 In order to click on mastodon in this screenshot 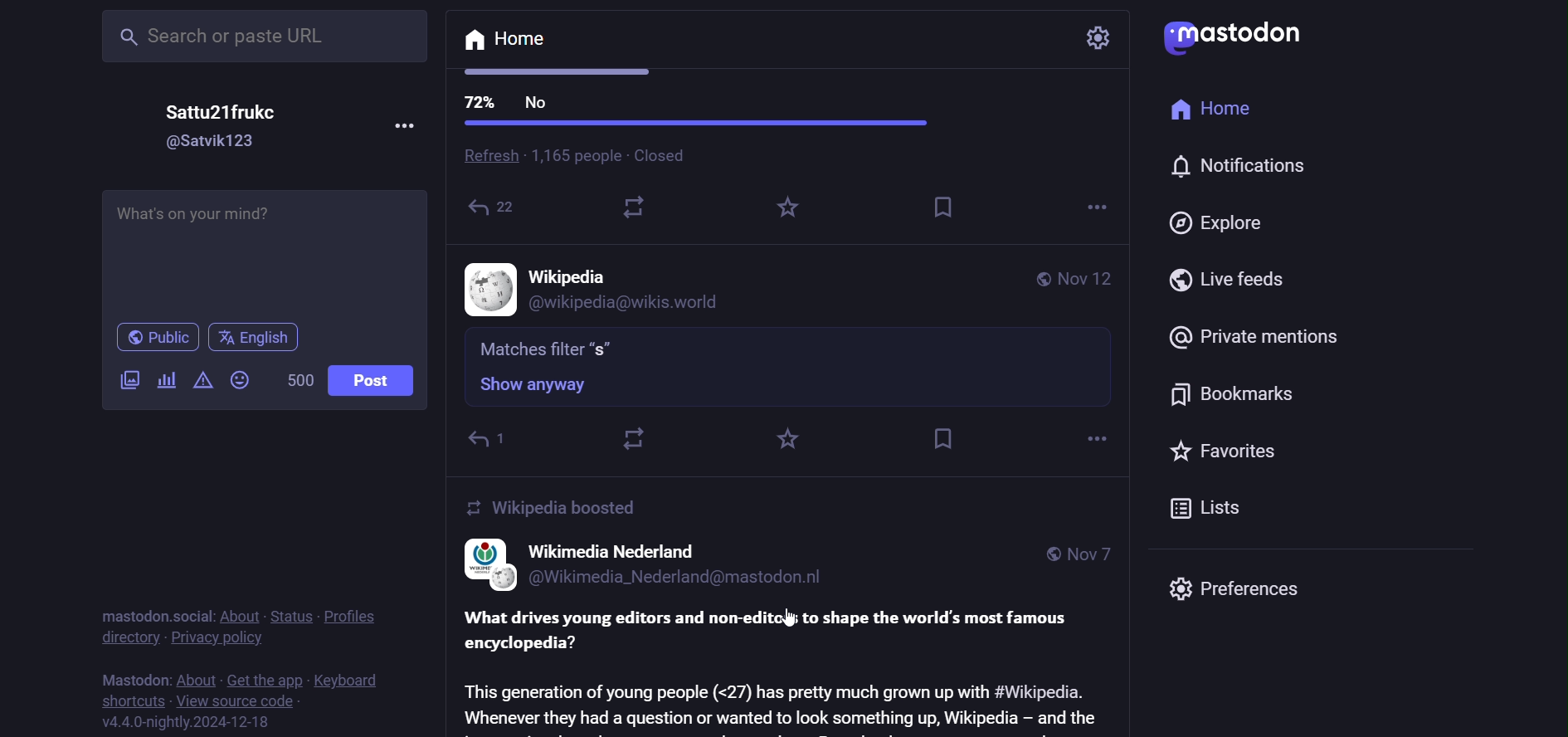, I will do `click(129, 679)`.